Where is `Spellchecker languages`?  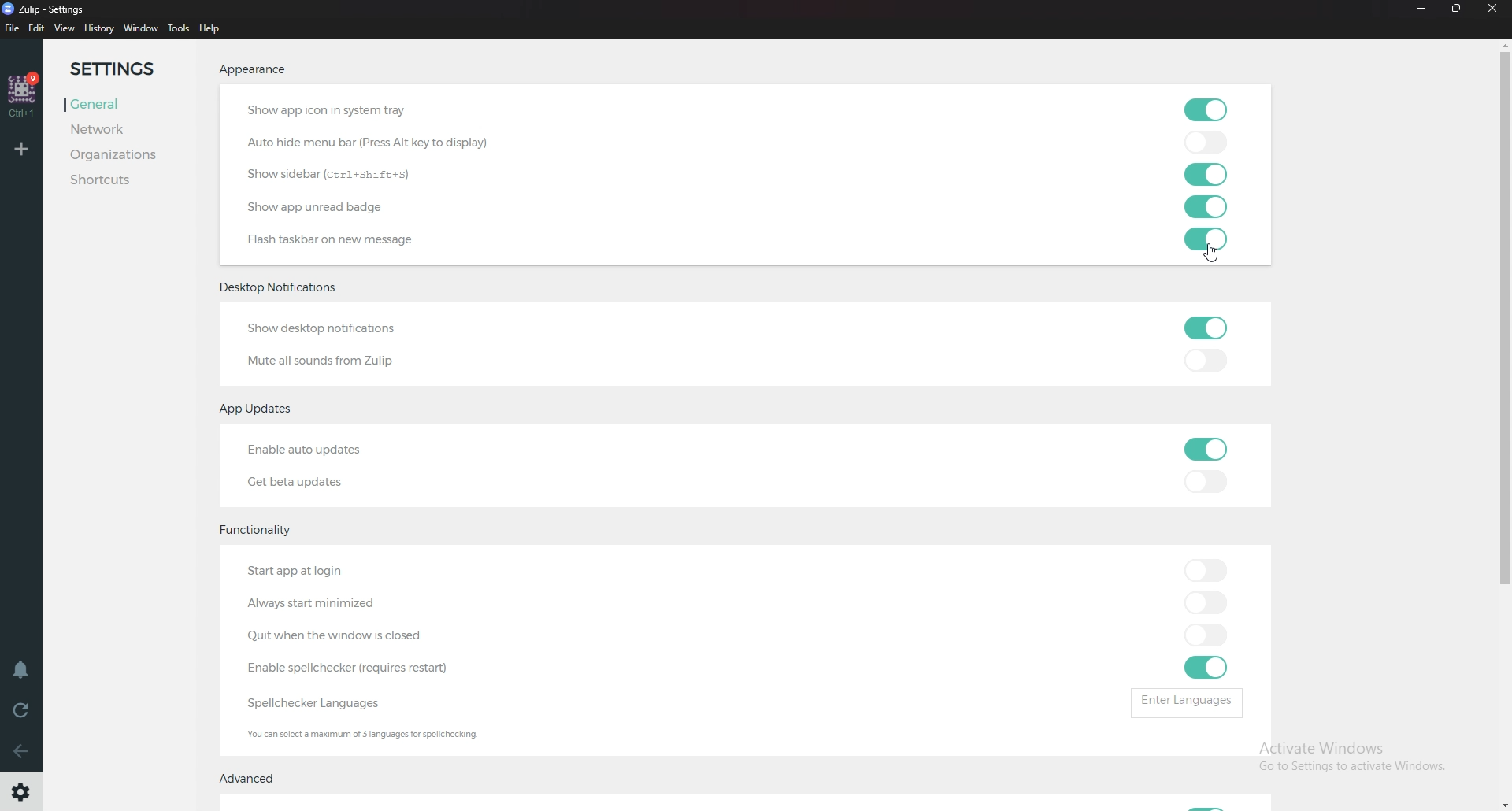
Spellchecker languages is located at coordinates (328, 702).